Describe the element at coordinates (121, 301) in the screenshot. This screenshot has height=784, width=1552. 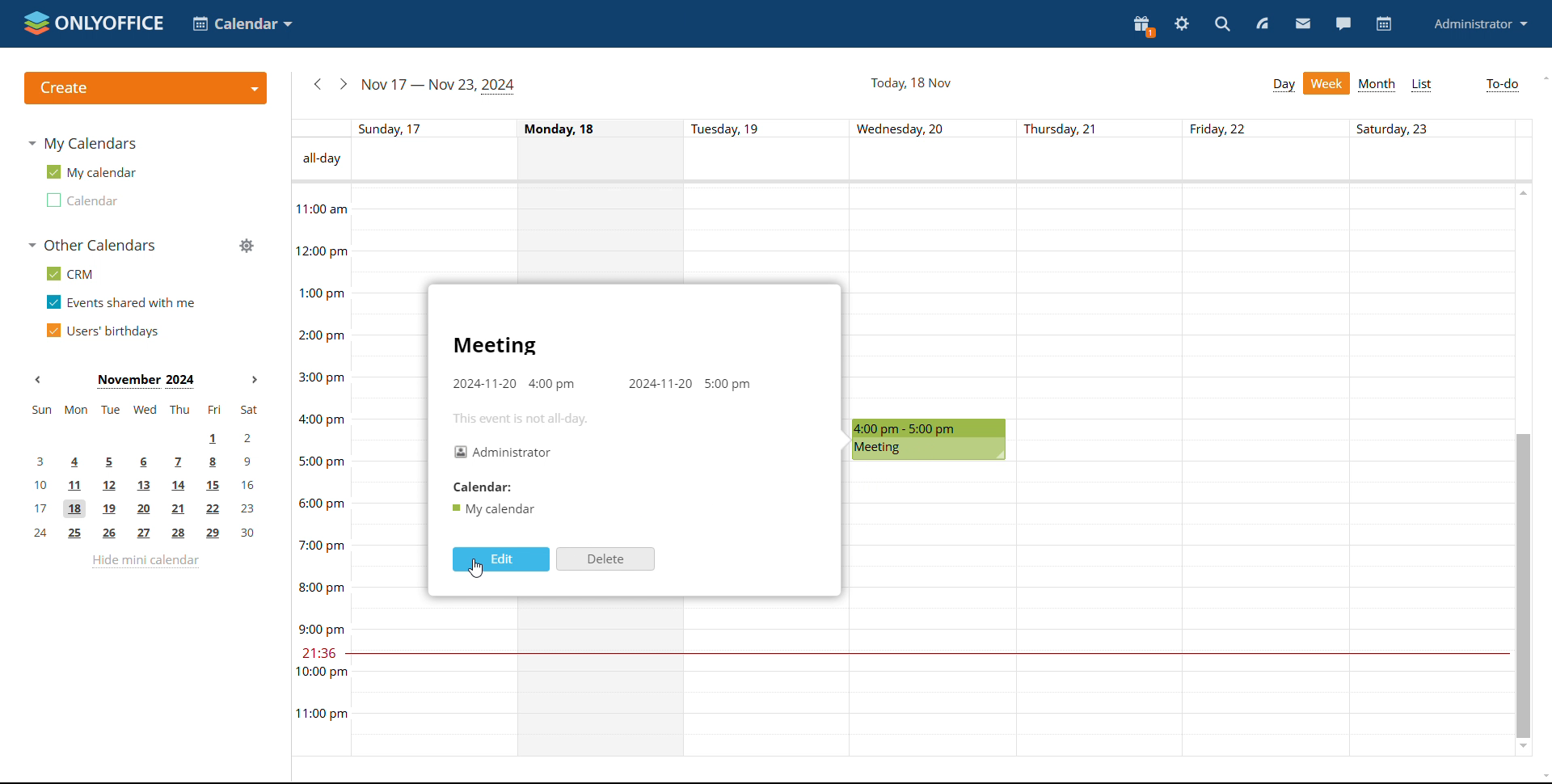
I see `events shared with me` at that location.